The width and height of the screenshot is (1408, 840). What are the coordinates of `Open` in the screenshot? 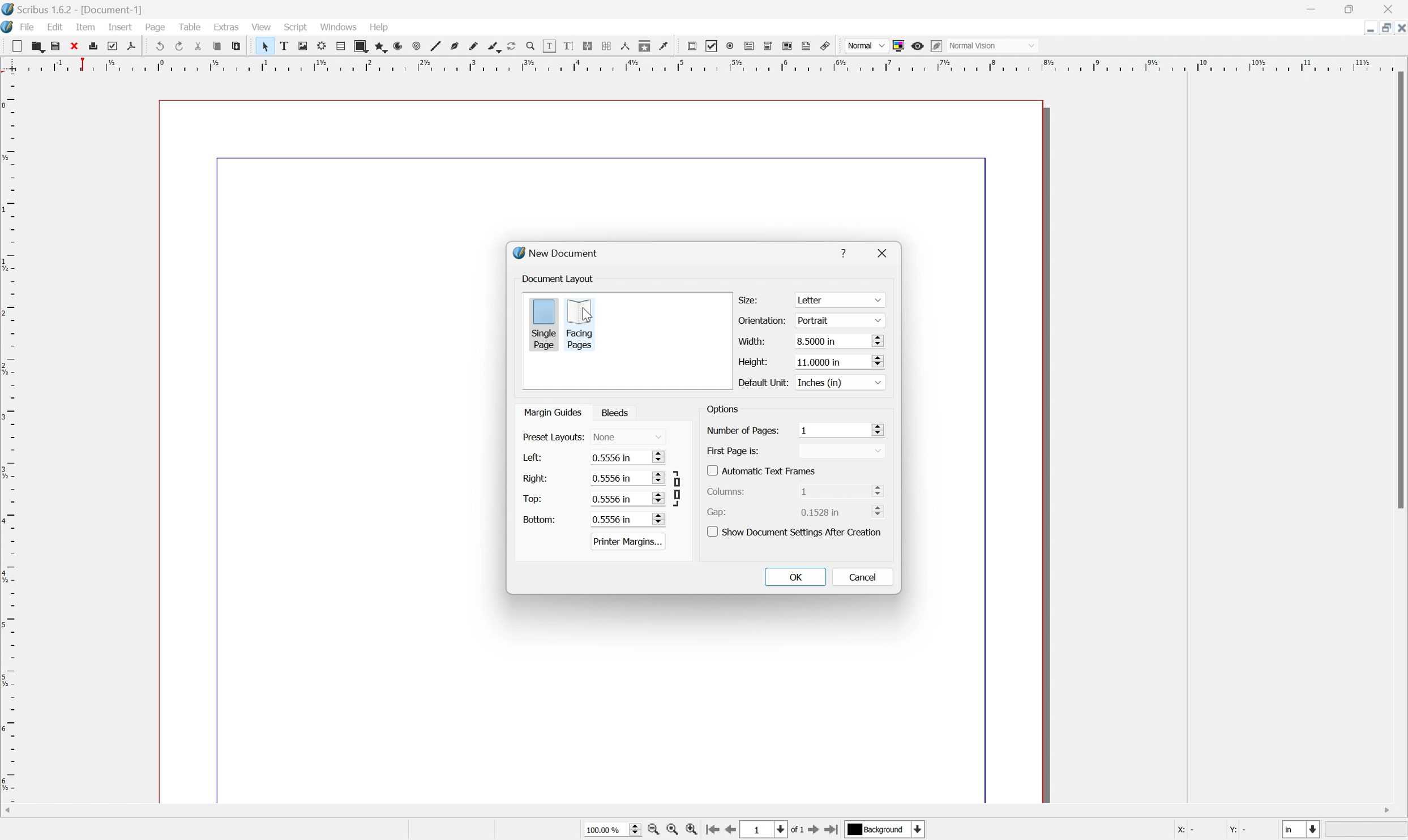 It's located at (38, 47).